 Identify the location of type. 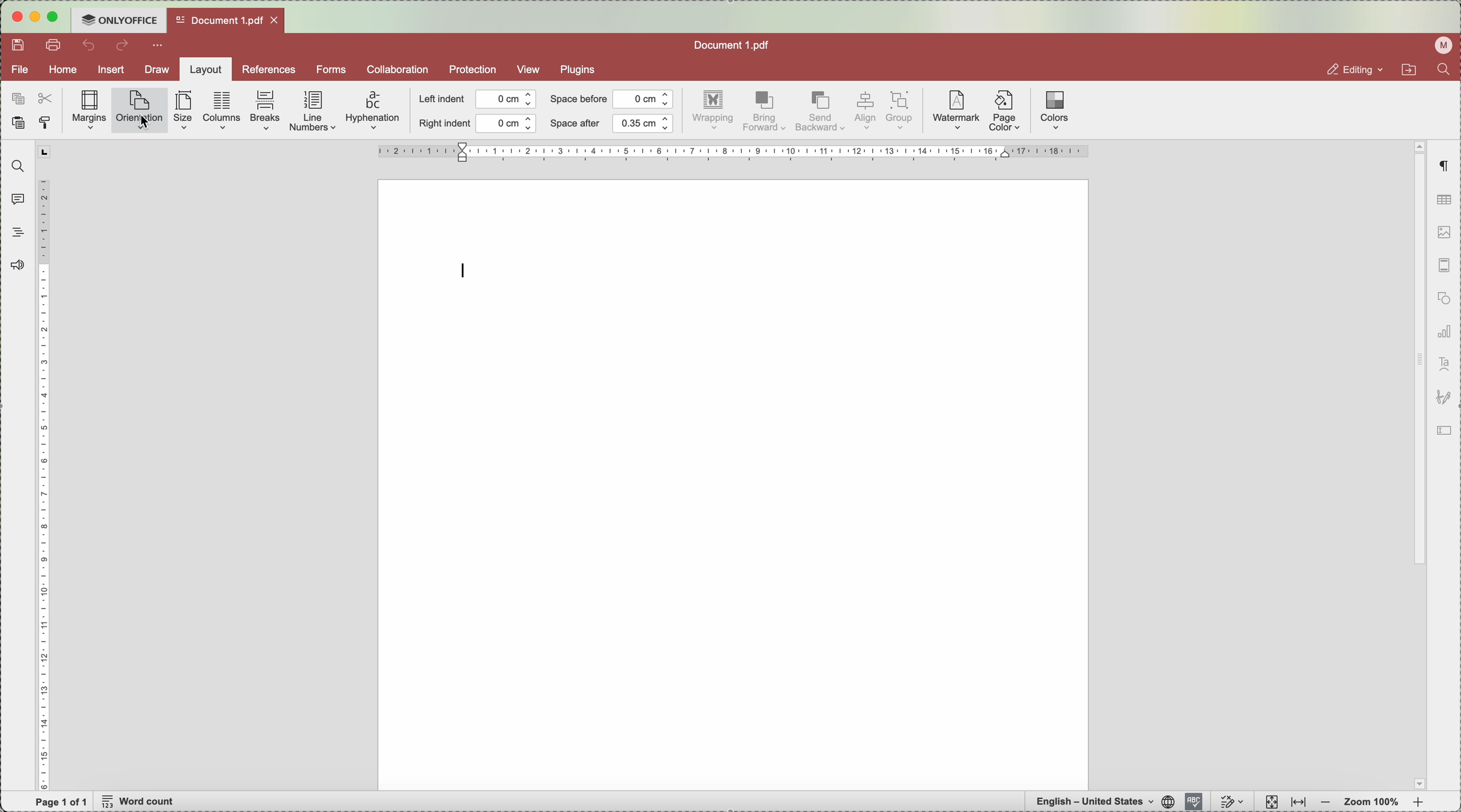
(466, 269).